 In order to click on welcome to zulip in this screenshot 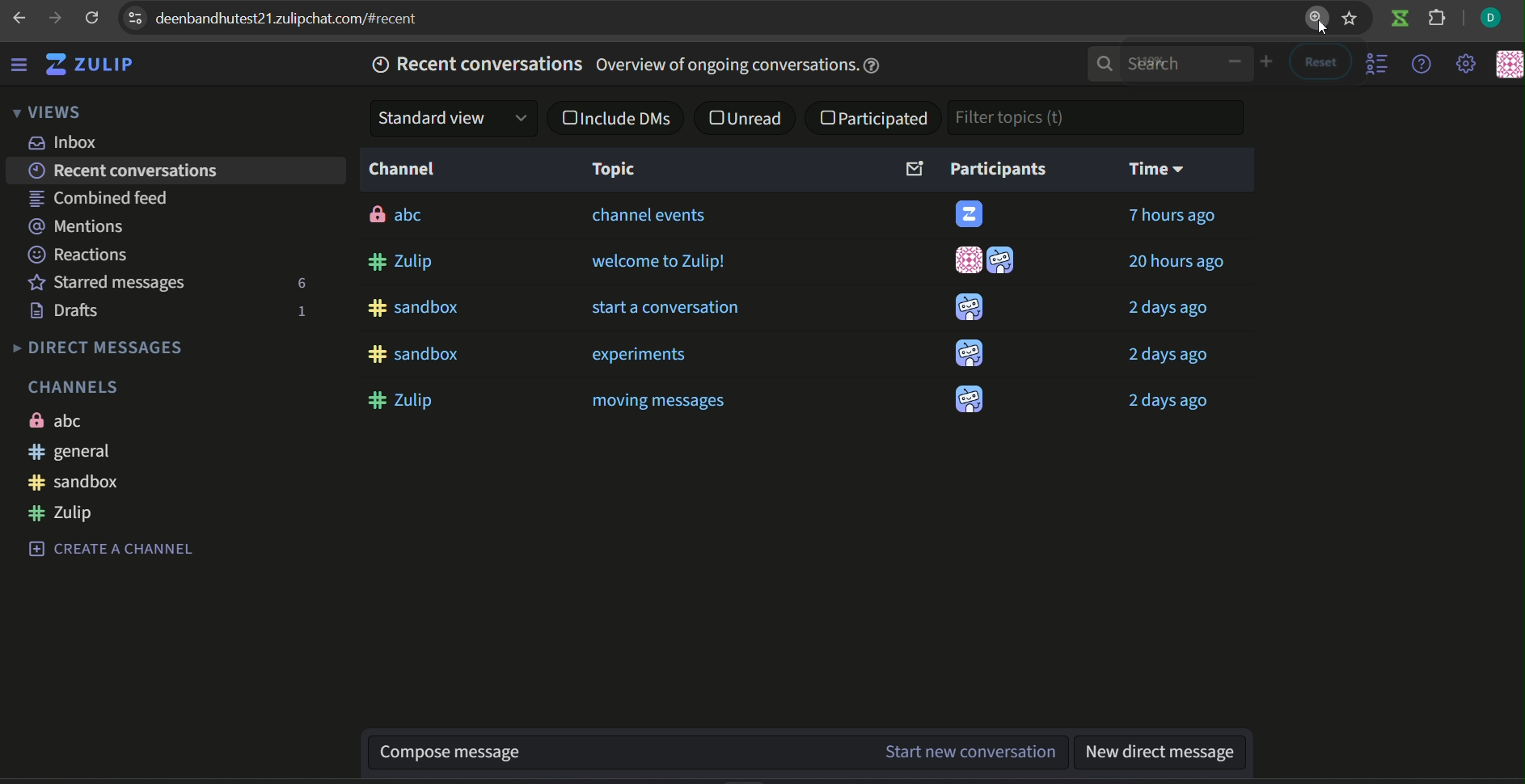, I will do `click(657, 259)`.